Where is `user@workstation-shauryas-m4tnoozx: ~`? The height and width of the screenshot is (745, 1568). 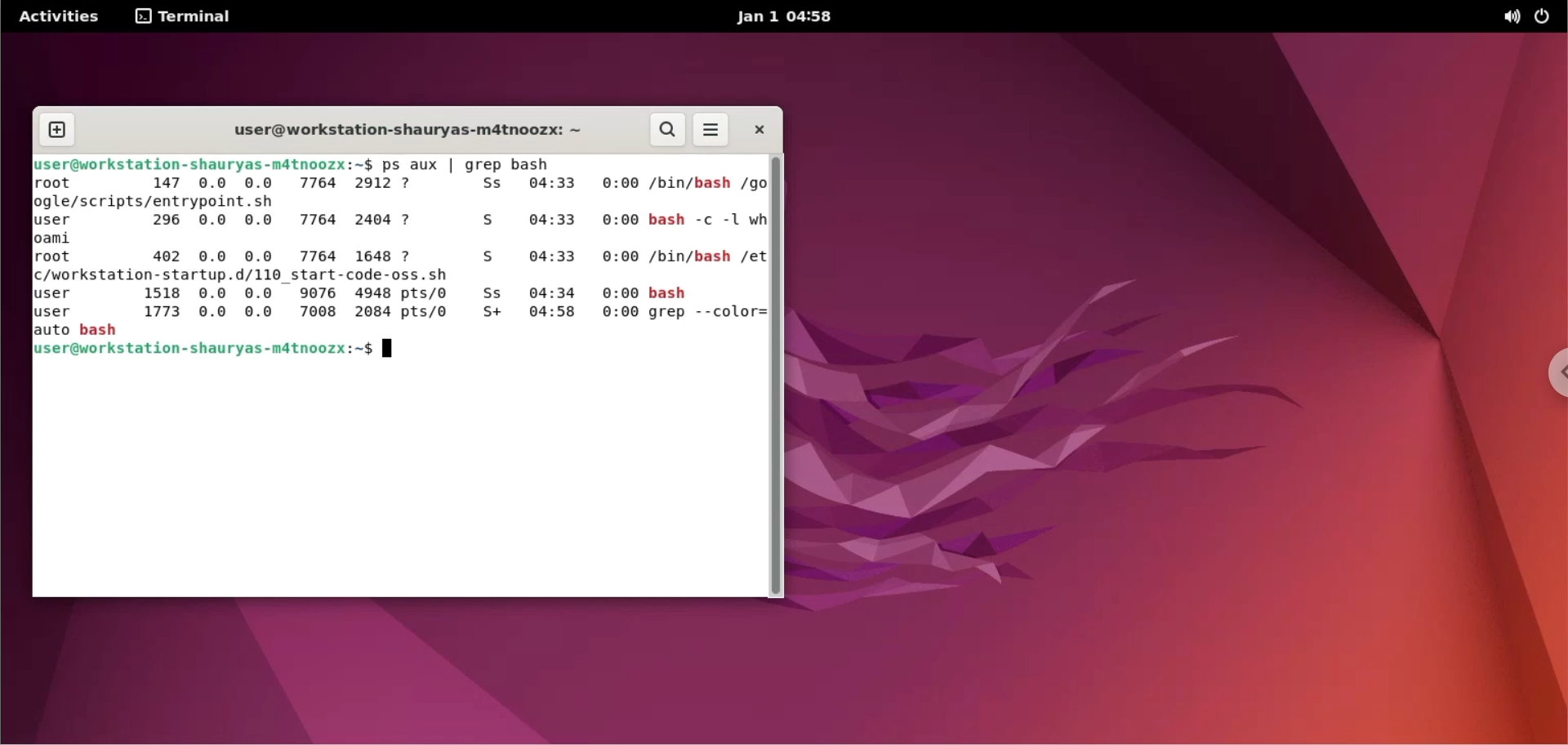
user@workstation-shauryas-m4tnoozx: ~ is located at coordinates (399, 127).